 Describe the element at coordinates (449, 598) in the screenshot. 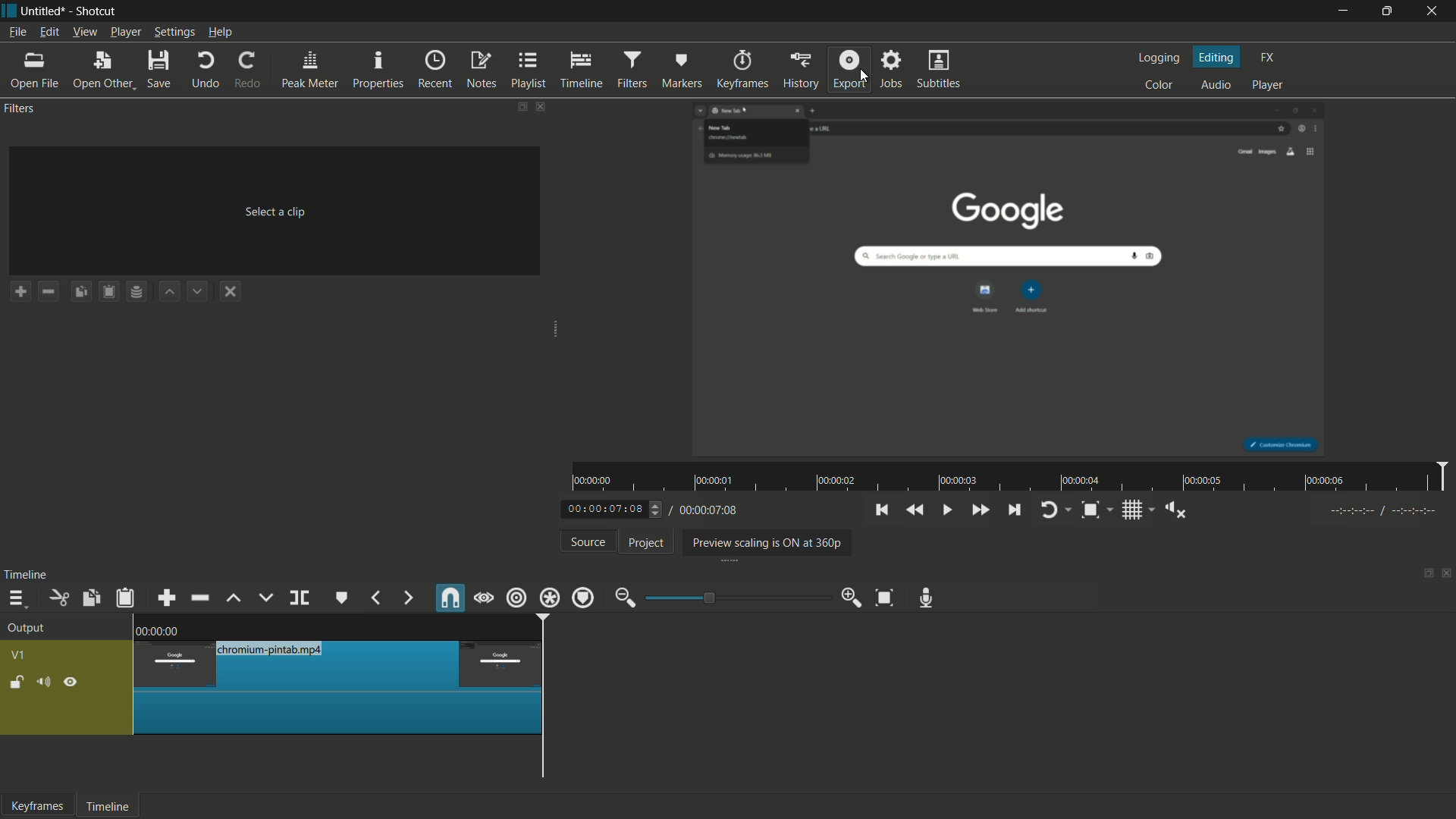

I see `snap` at that location.